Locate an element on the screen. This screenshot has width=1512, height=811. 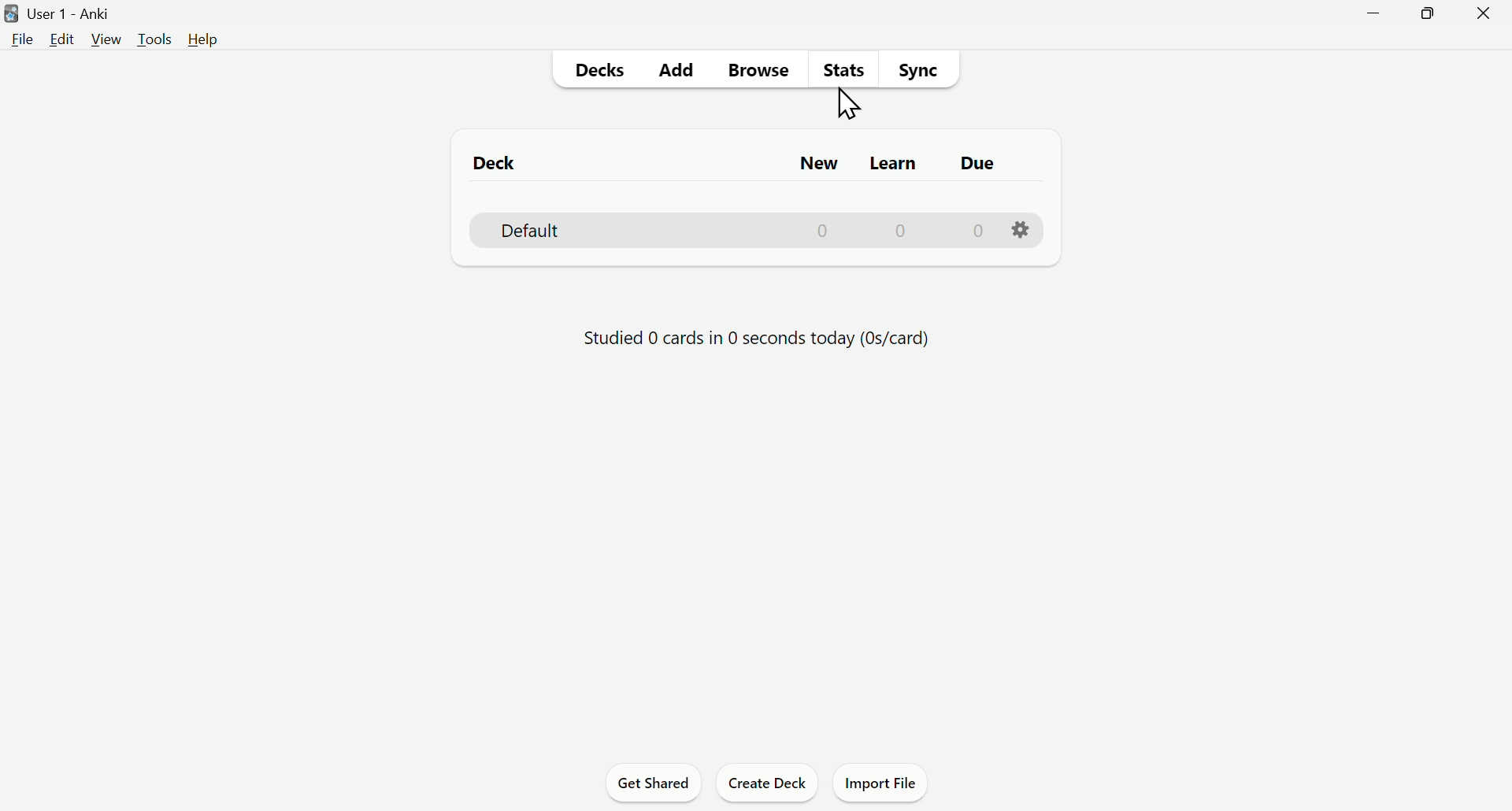
Cursor is located at coordinates (847, 103).